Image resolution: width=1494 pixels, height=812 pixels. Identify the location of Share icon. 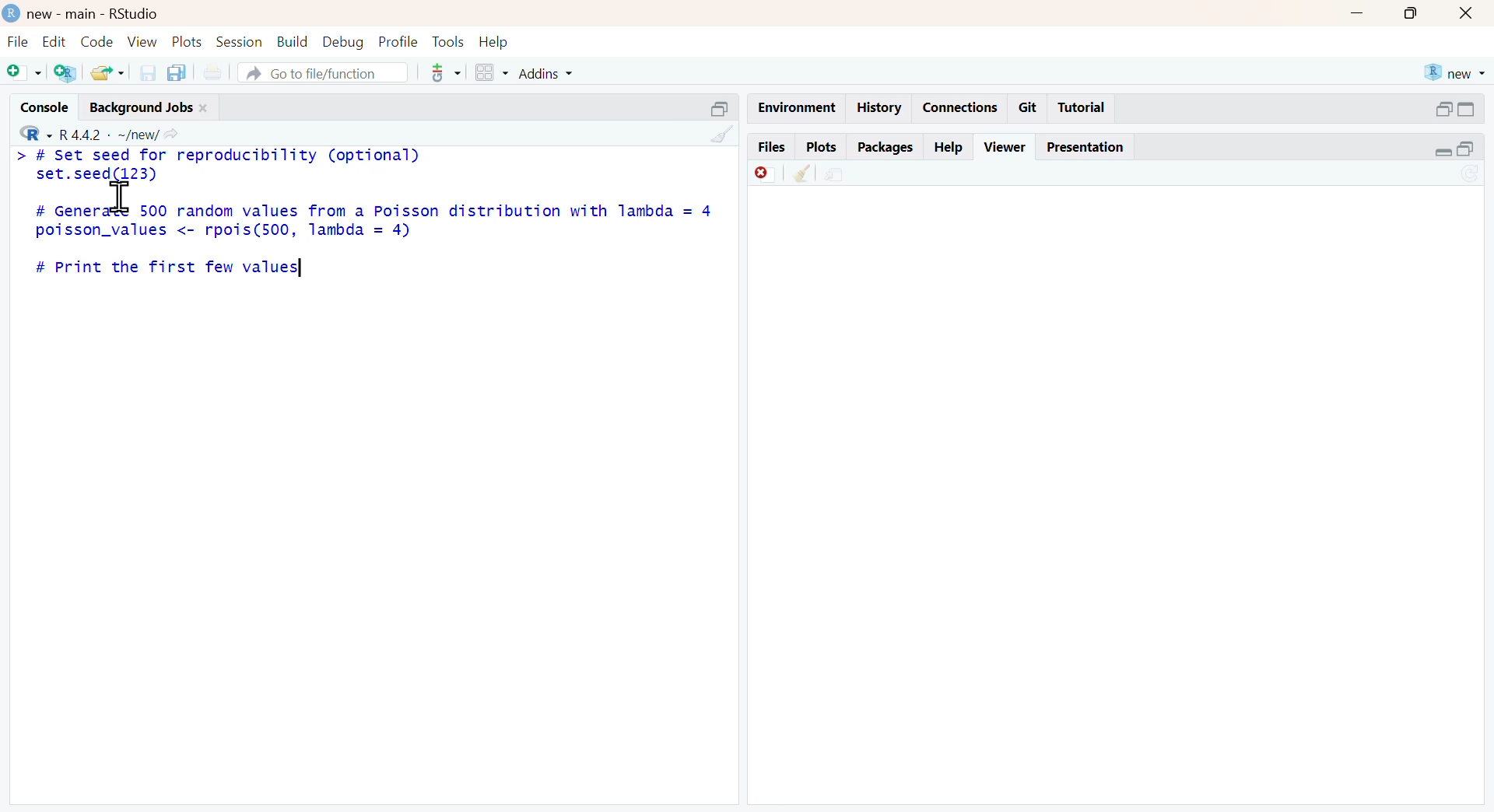
(173, 134).